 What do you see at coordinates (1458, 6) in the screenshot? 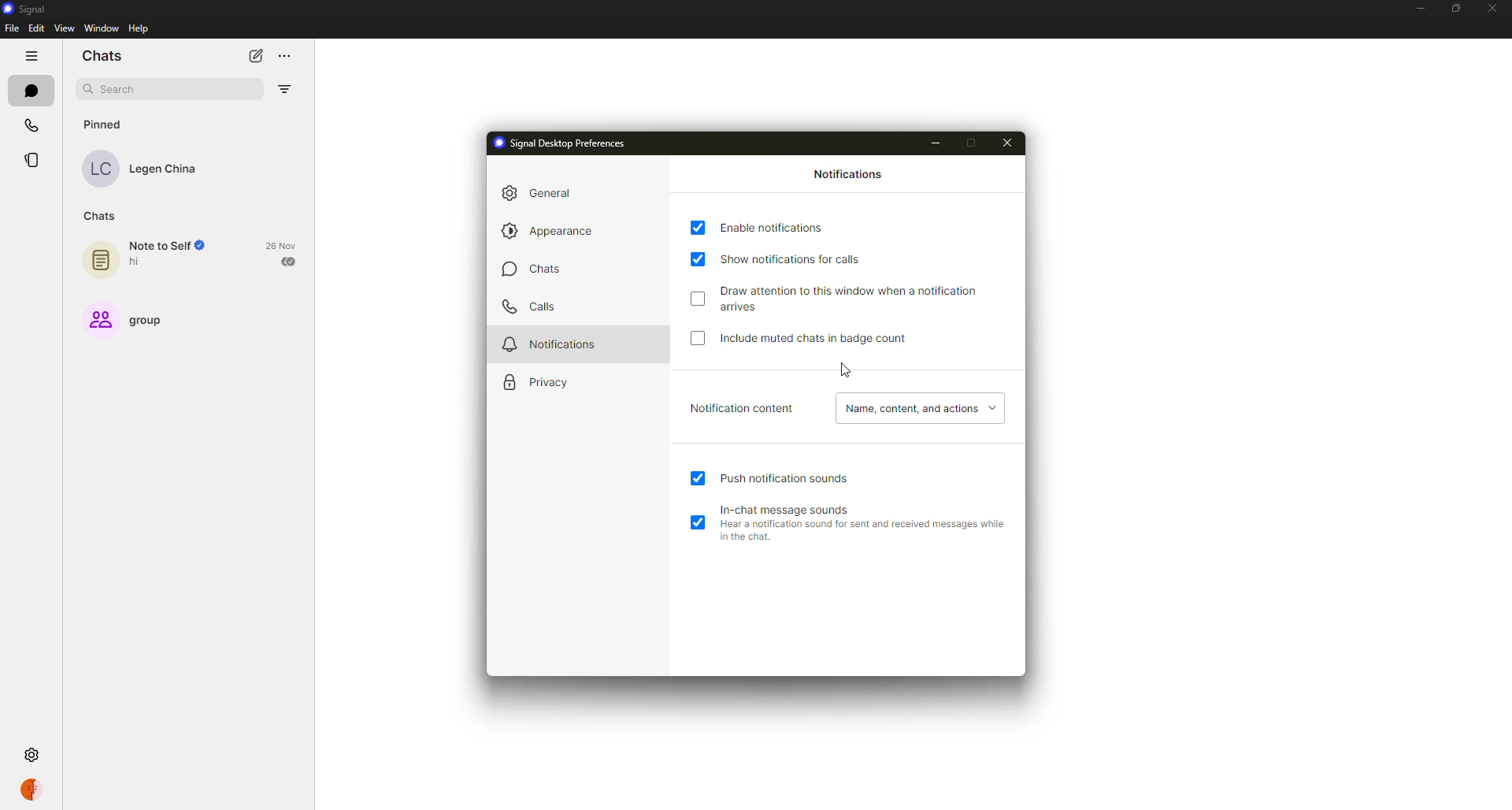
I see `maximize` at bounding box center [1458, 6].